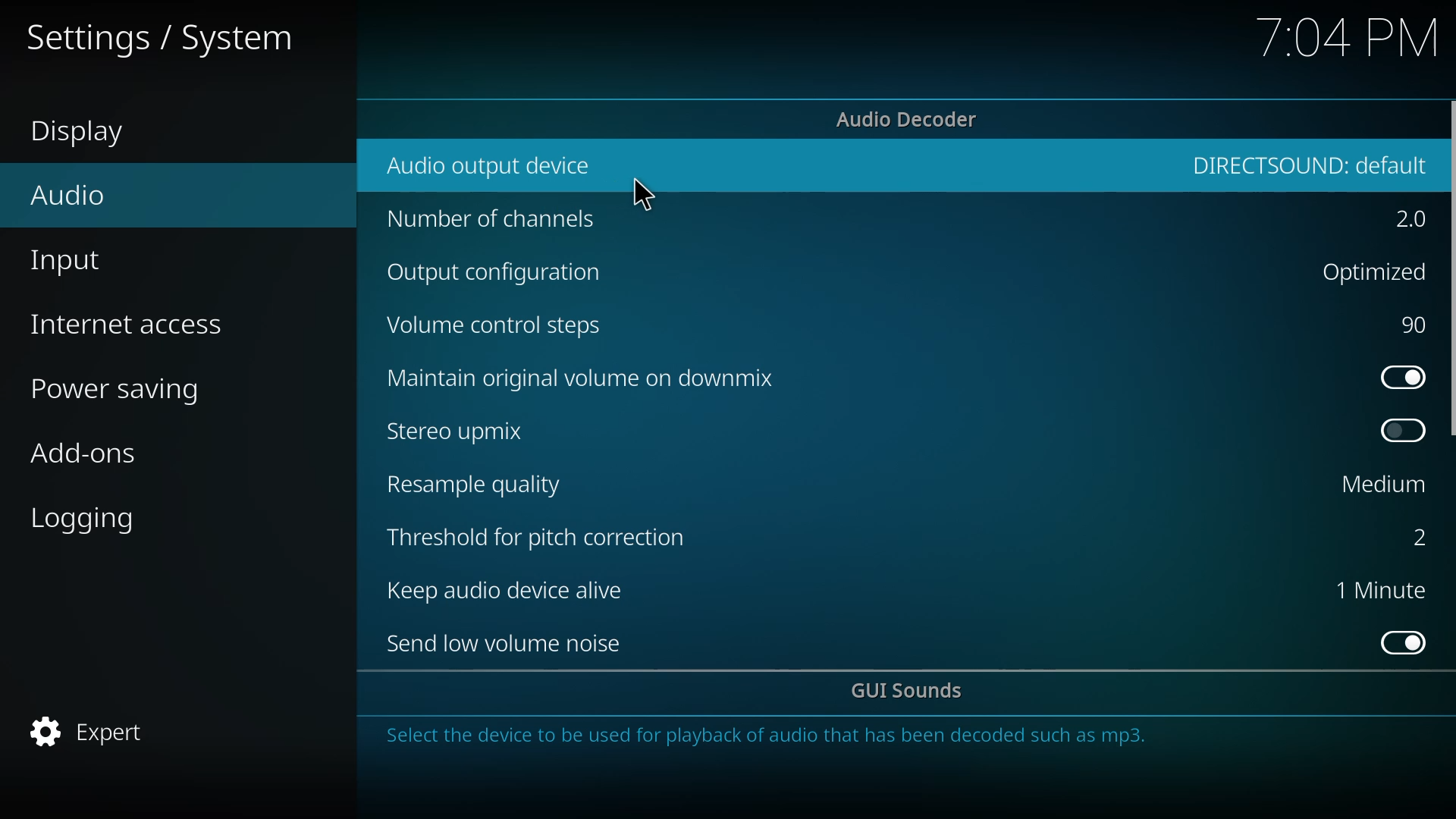 The height and width of the screenshot is (819, 1456). I want to click on 90, so click(1416, 325).